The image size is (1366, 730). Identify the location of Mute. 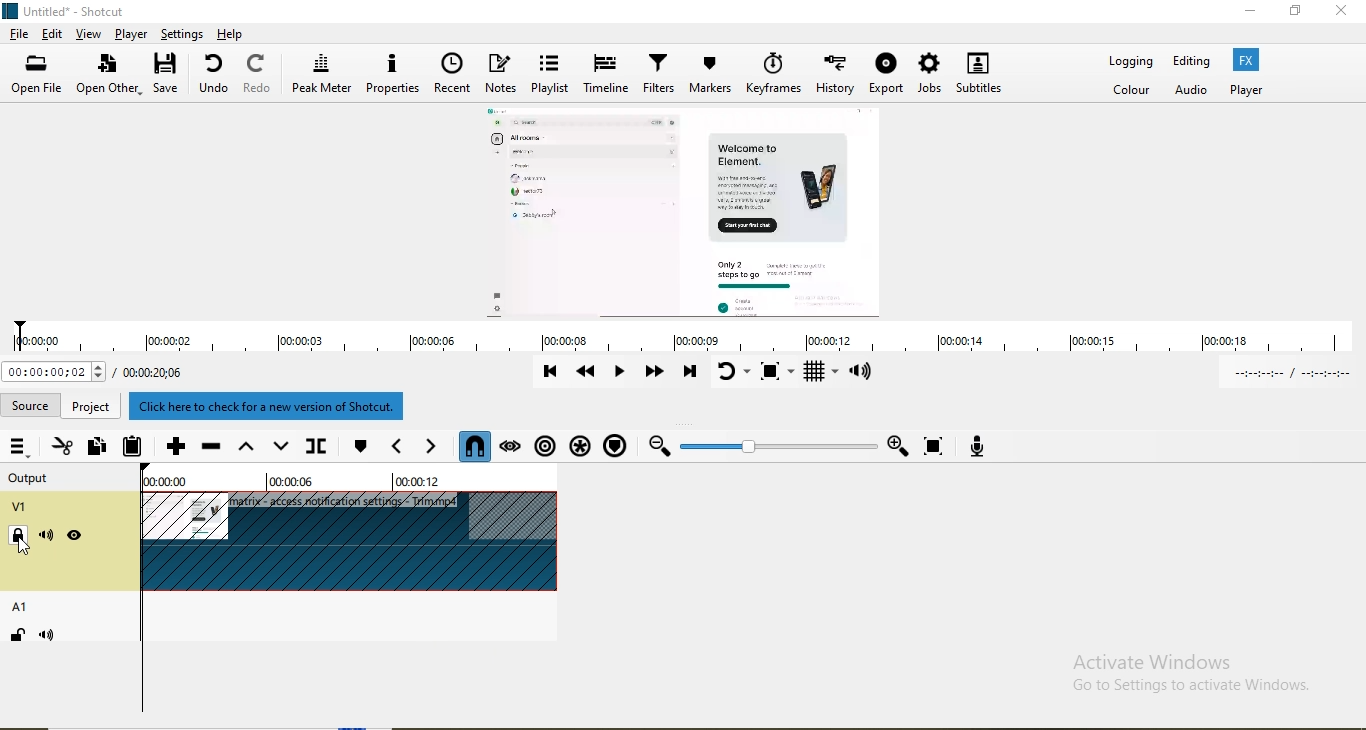
(47, 535).